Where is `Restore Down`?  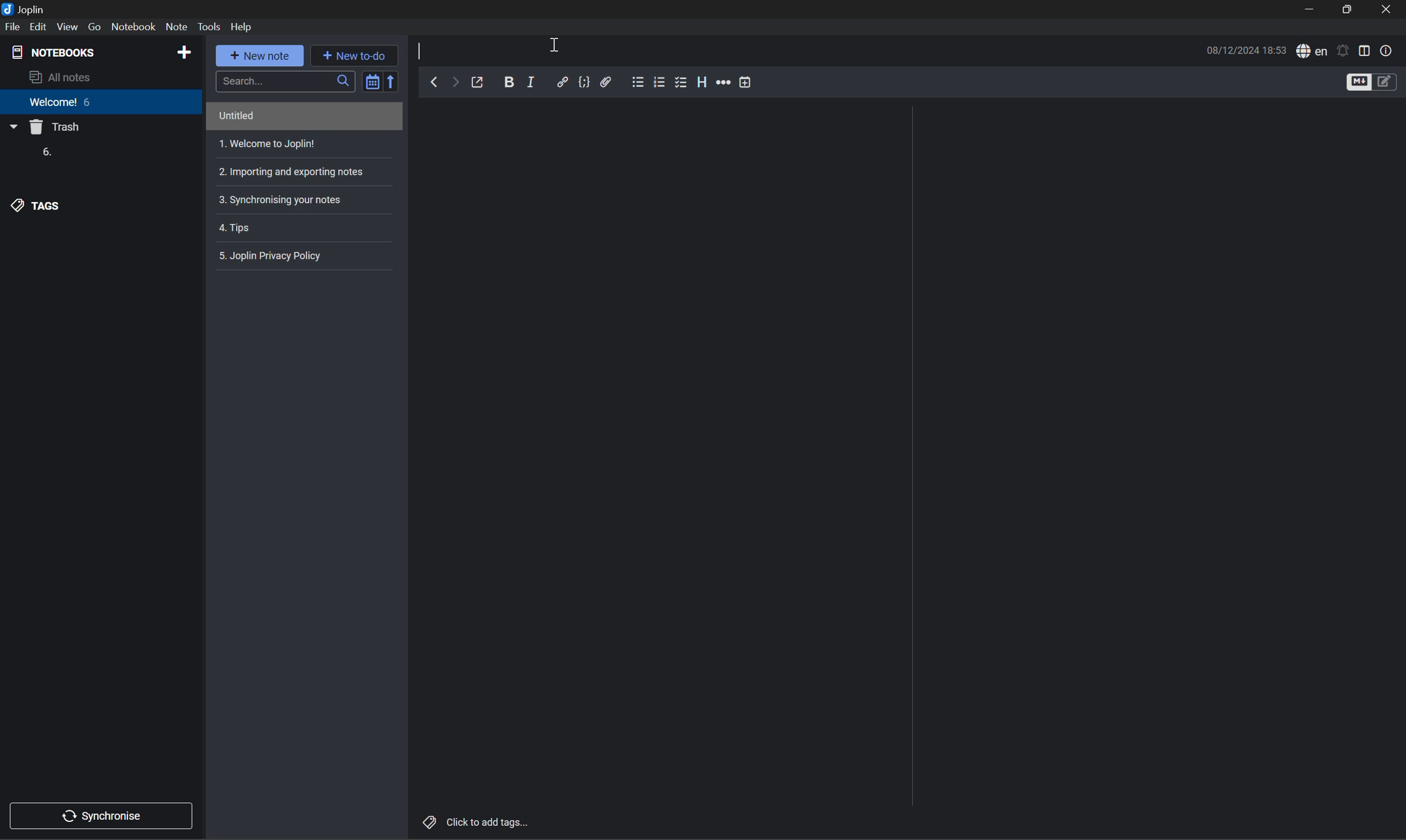
Restore Down is located at coordinates (1349, 10).